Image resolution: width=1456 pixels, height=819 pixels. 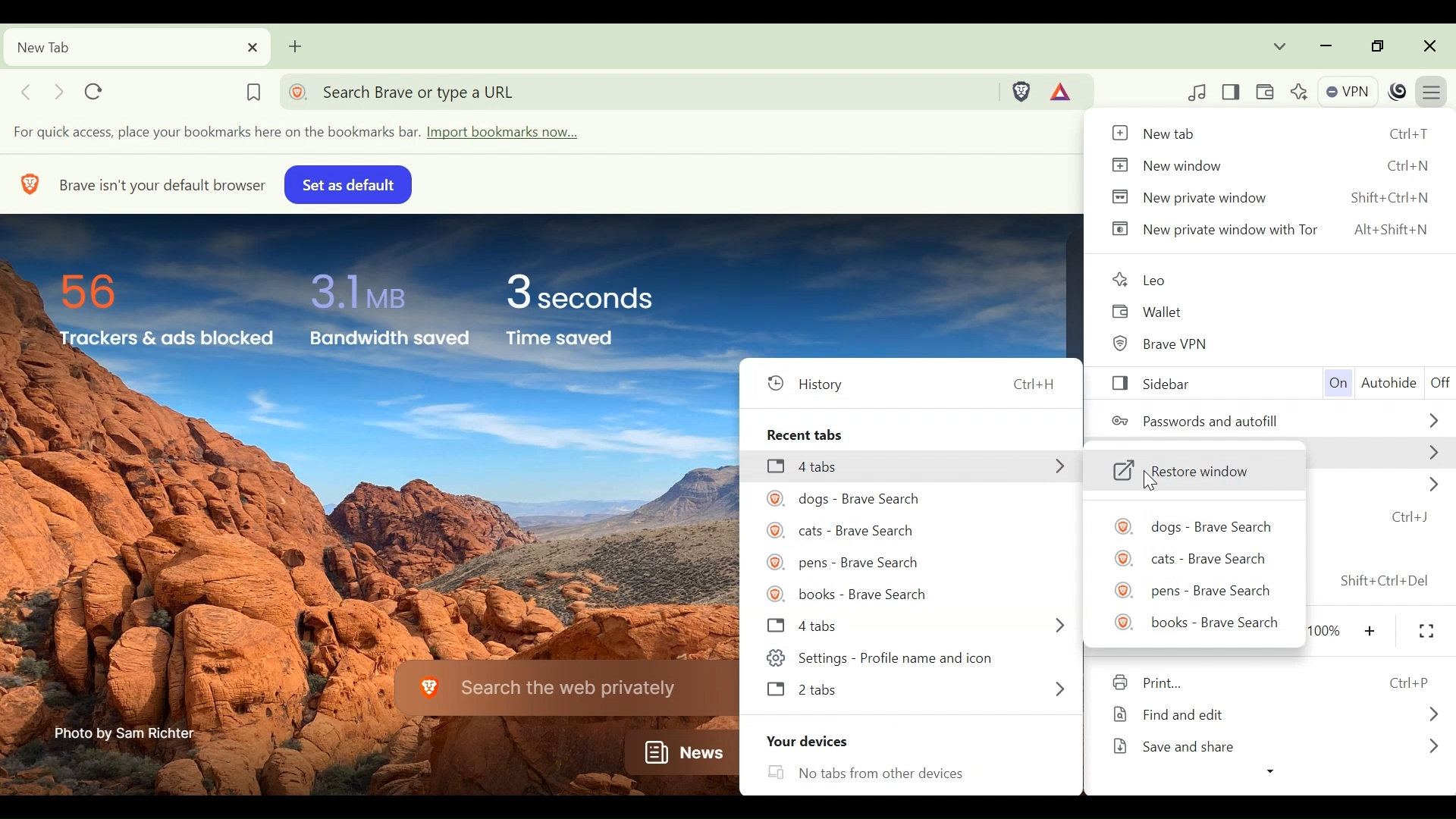 I want to click on News, so click(x=677, y=754).